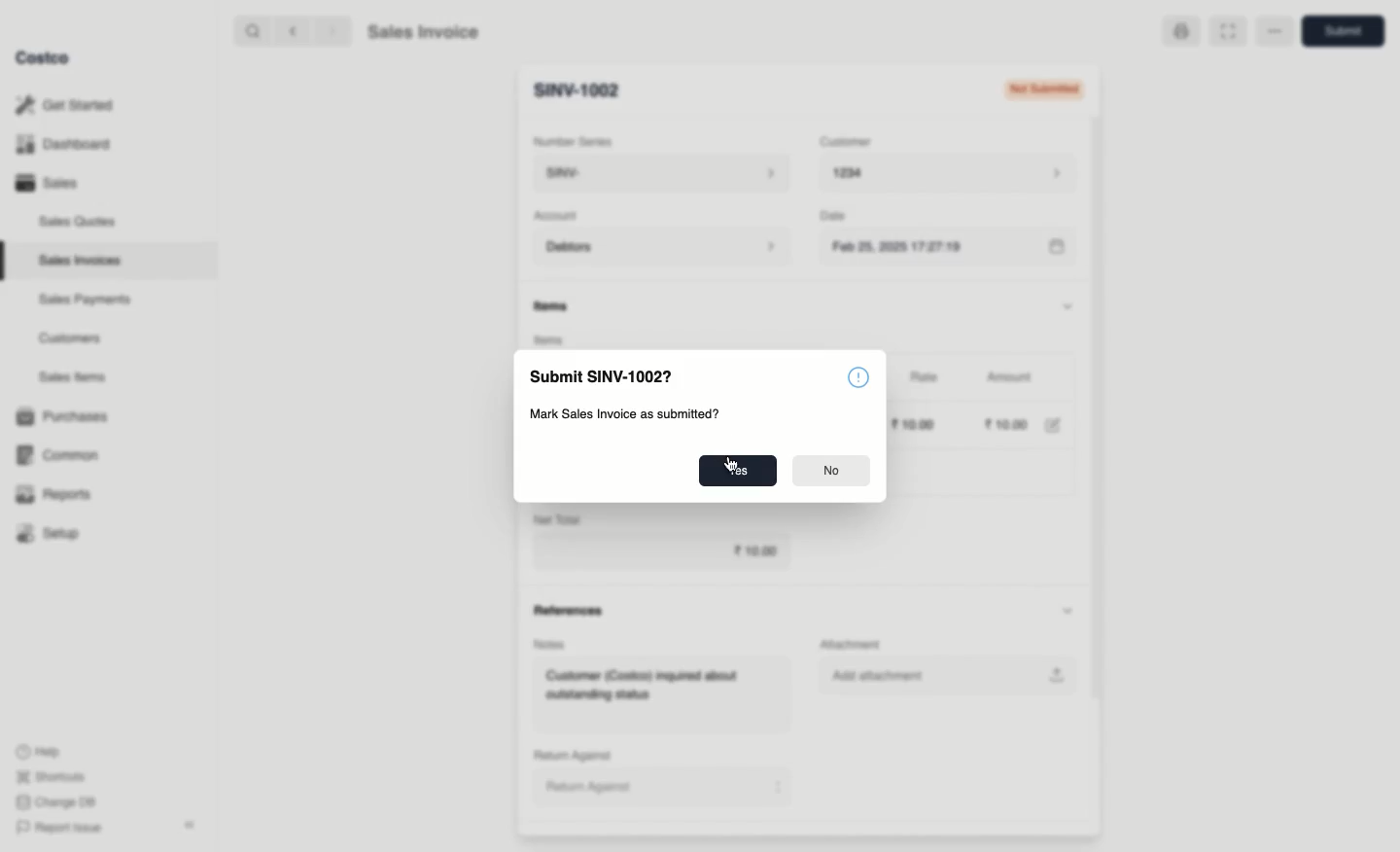 The image size is (1400, 852). Describe the element at coordinates (49, 531) in the screenshot. I see `Setup` at that location.